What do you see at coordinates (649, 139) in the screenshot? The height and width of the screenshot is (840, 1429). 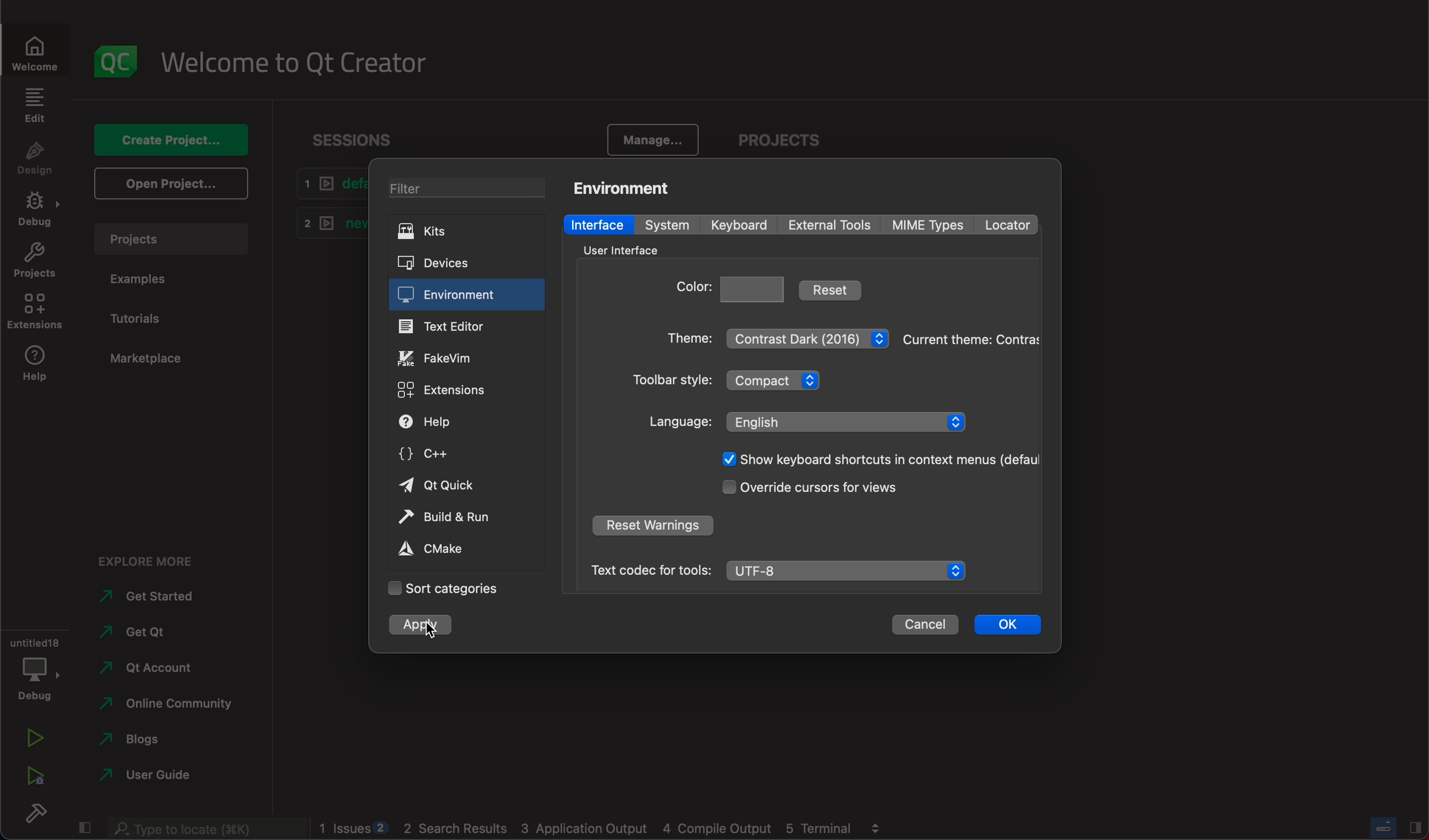 I see `manage` at bounding box center [649, 139].